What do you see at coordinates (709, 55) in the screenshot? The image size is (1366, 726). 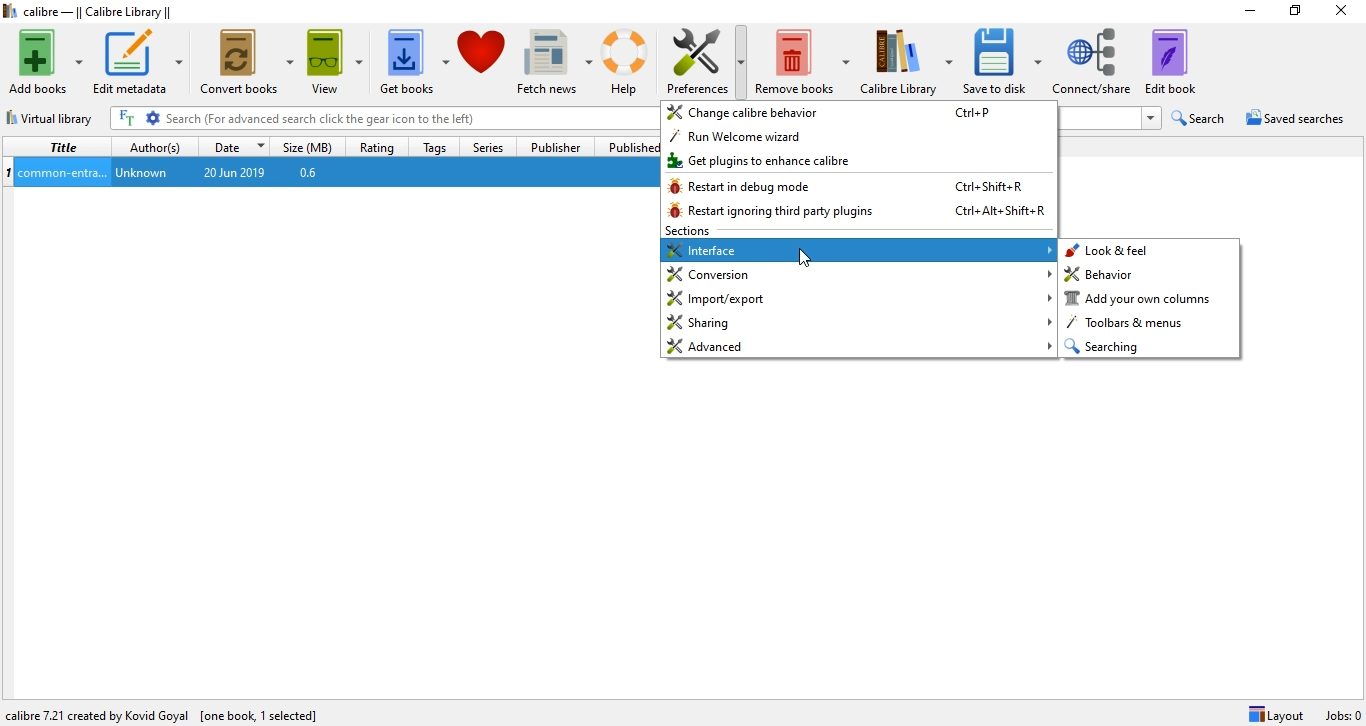 I see `Preference` at bounding box center [709, 55].